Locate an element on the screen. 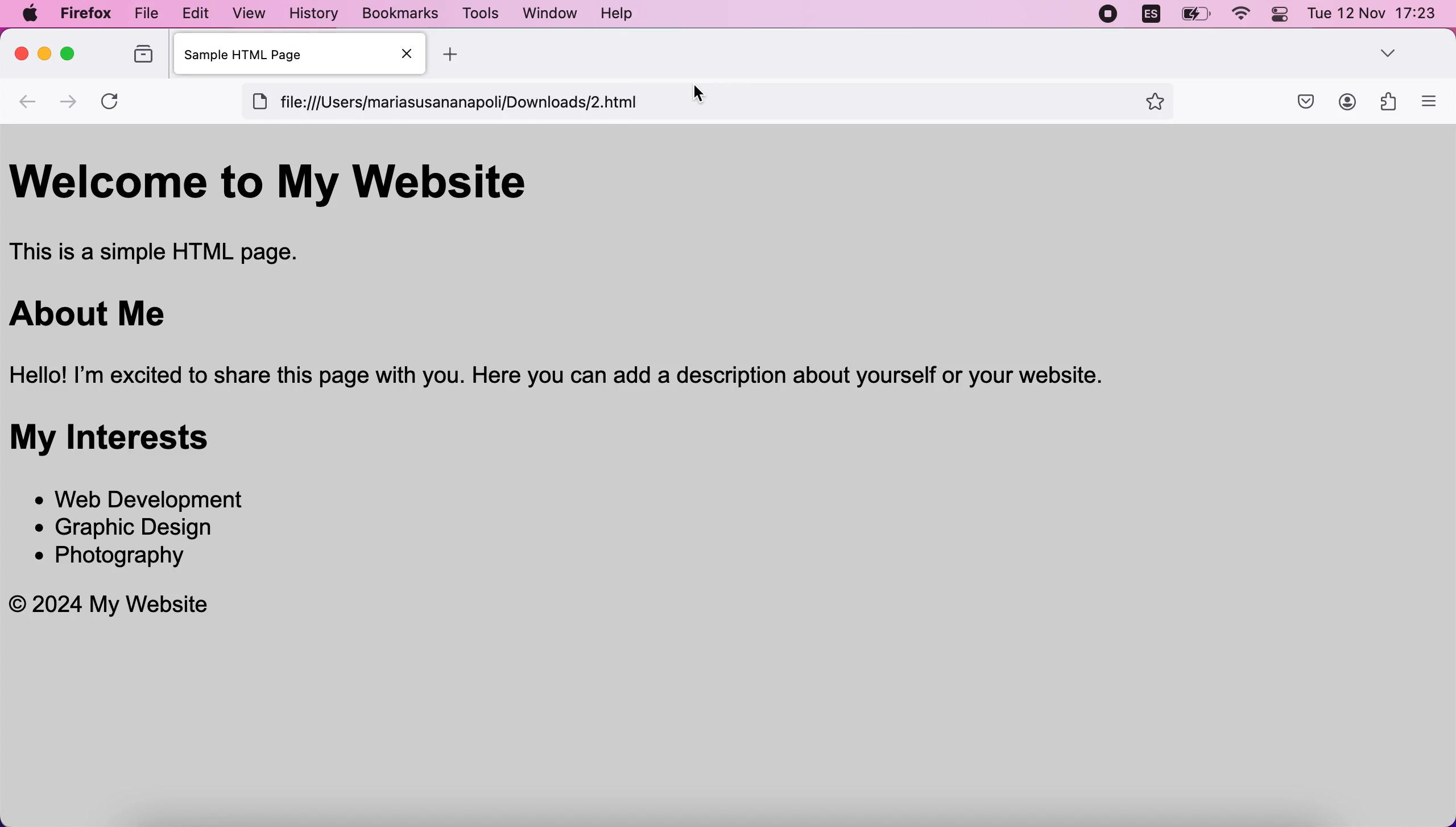  tools is located at coordinates (479, 15).